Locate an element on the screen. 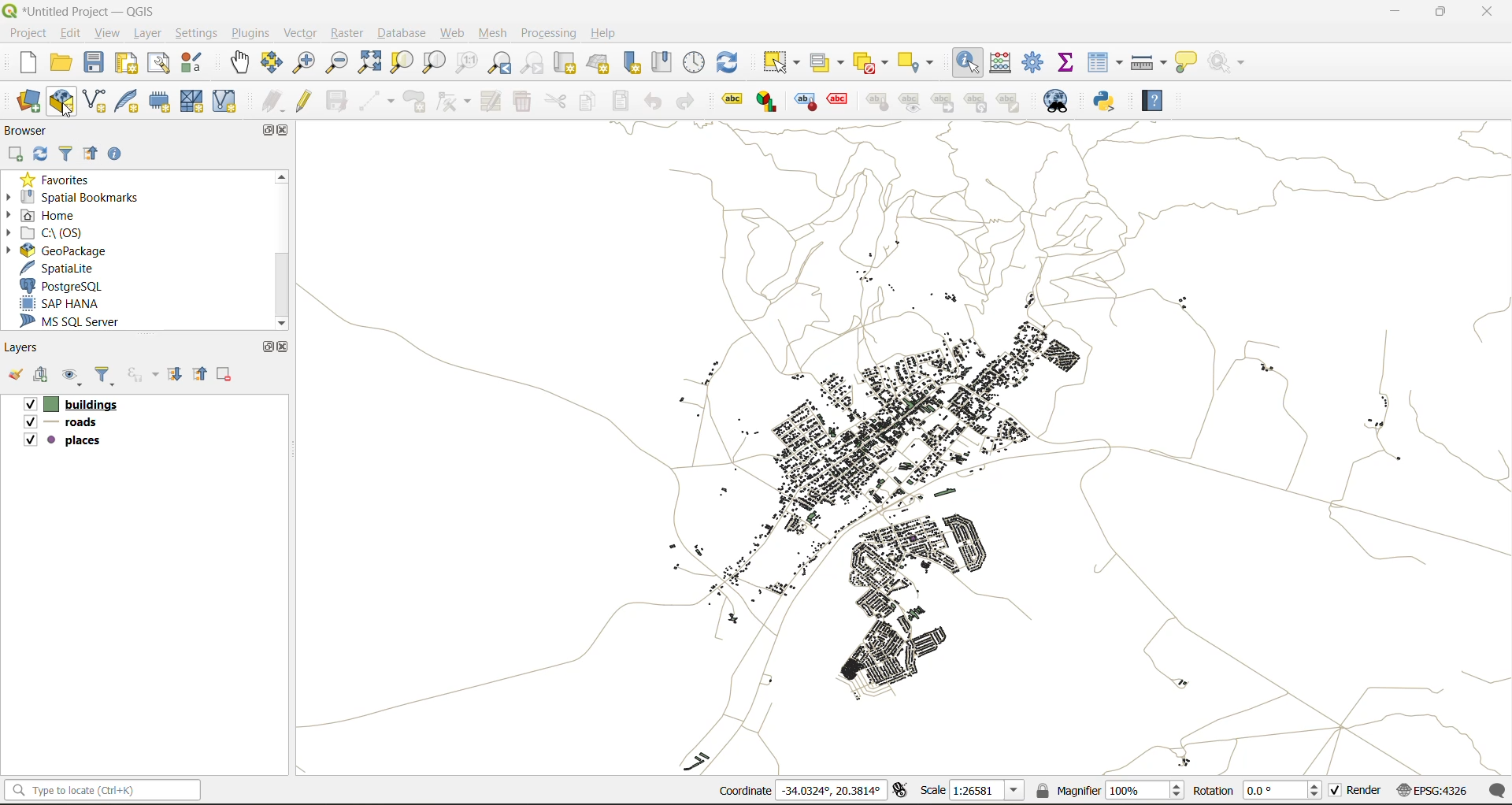 The width and height of the screenshot is (1512, 805). new spatial bookmark is located at coordinates (634, 65).